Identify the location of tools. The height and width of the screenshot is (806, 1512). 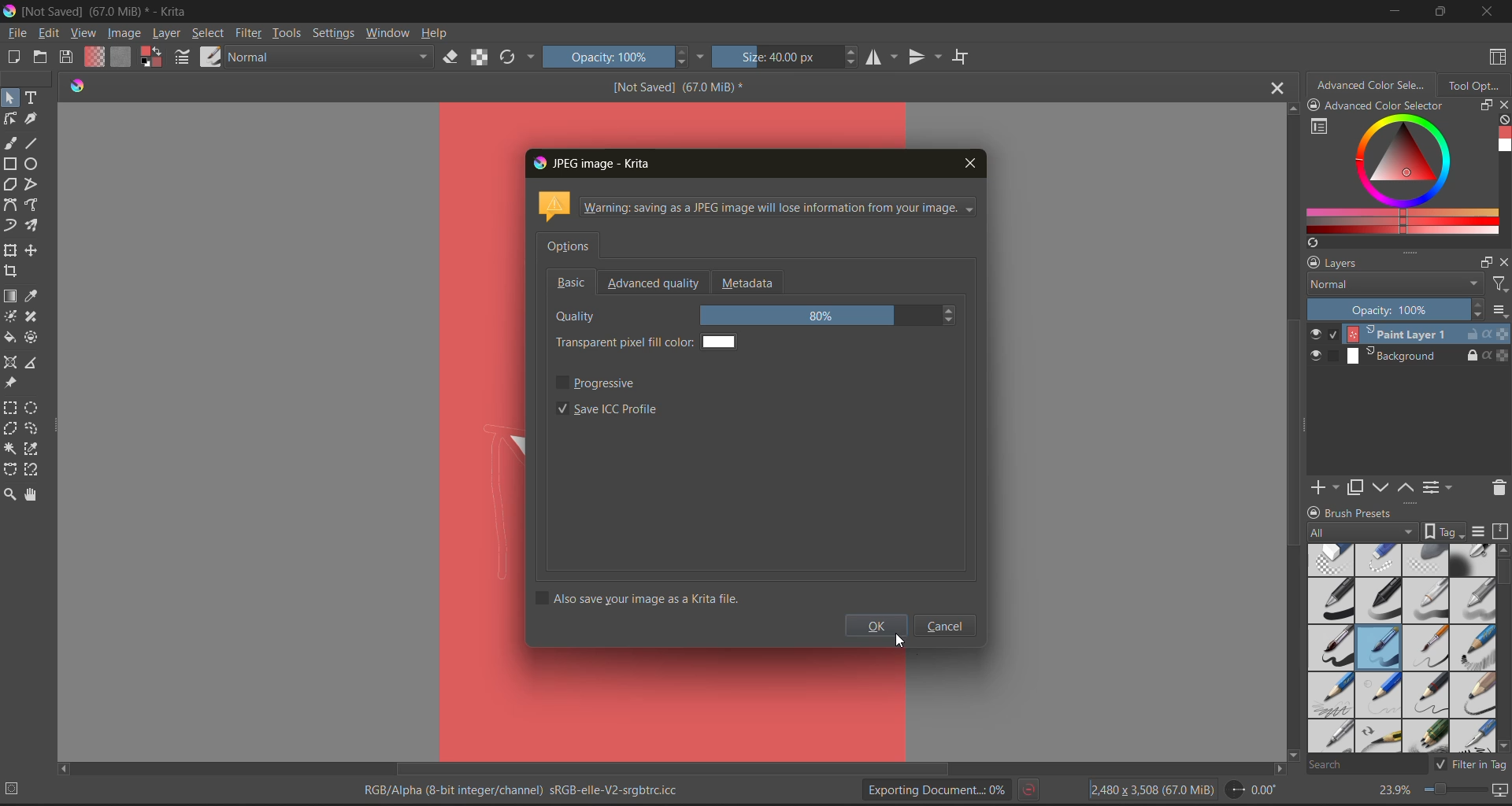
(10, 273).